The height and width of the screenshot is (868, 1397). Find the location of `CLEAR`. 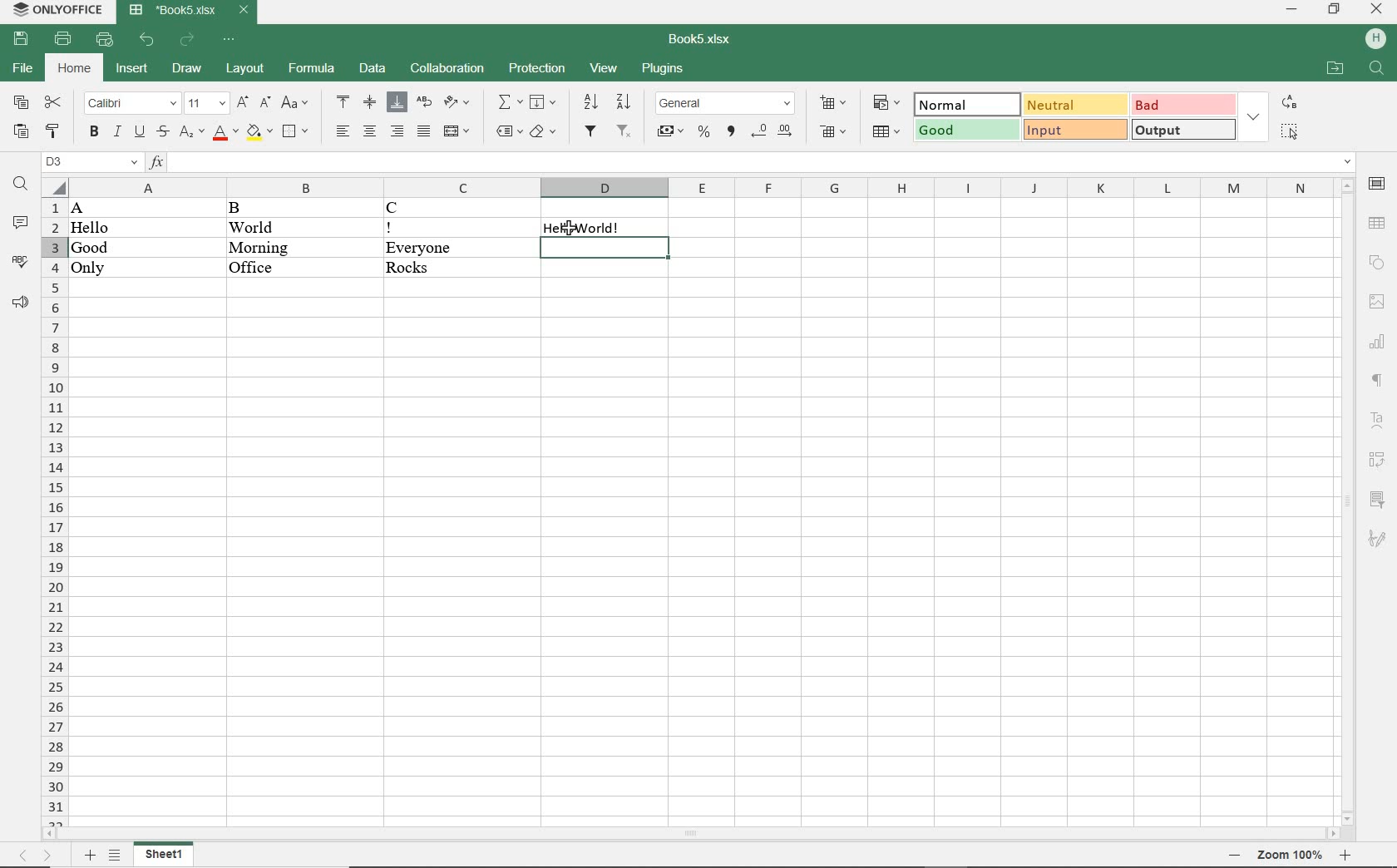

CLEAR is located at coordinates (543, 131).